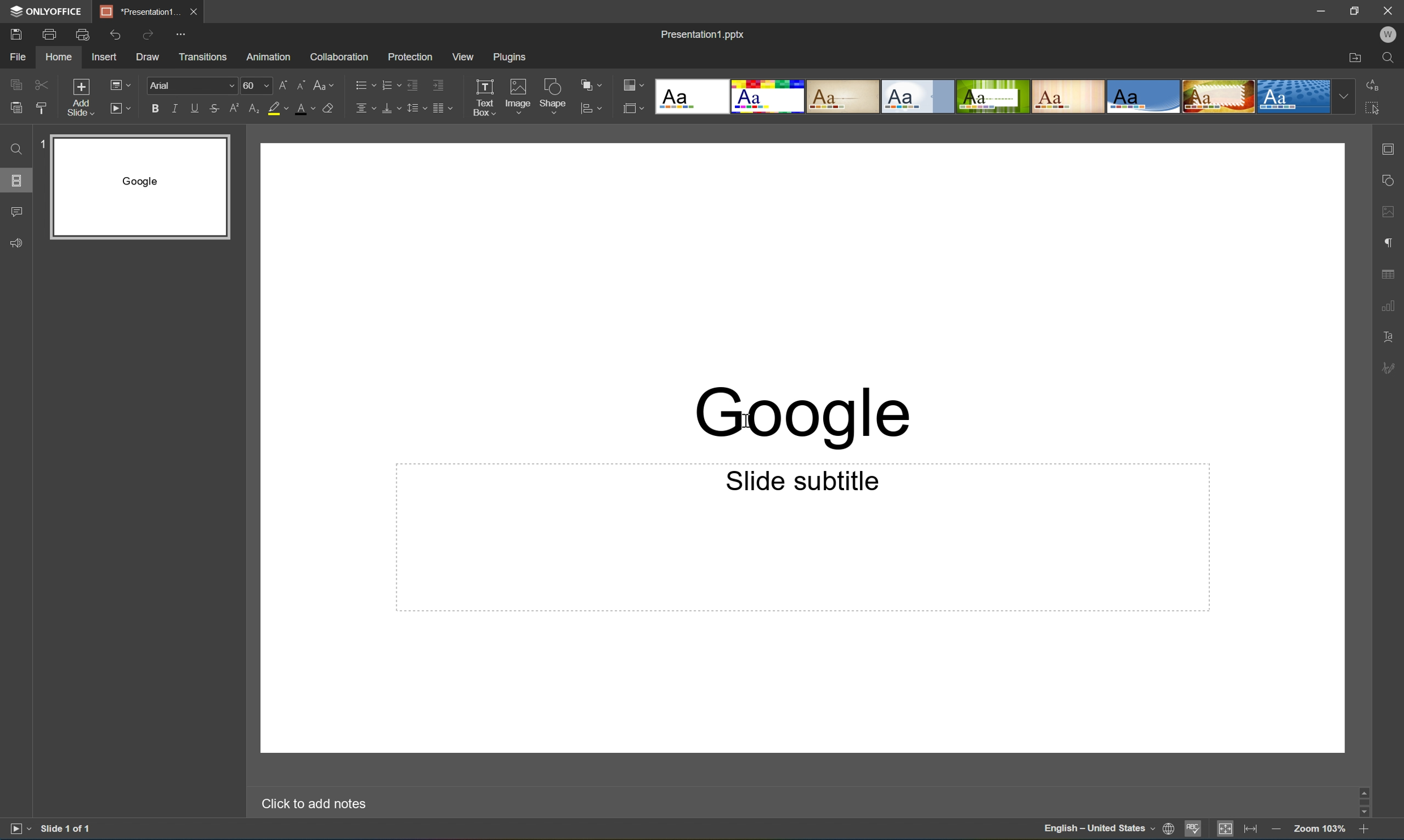  Describe the element at coordinates (463, 57) in the screenshot. I see `View` at that location.